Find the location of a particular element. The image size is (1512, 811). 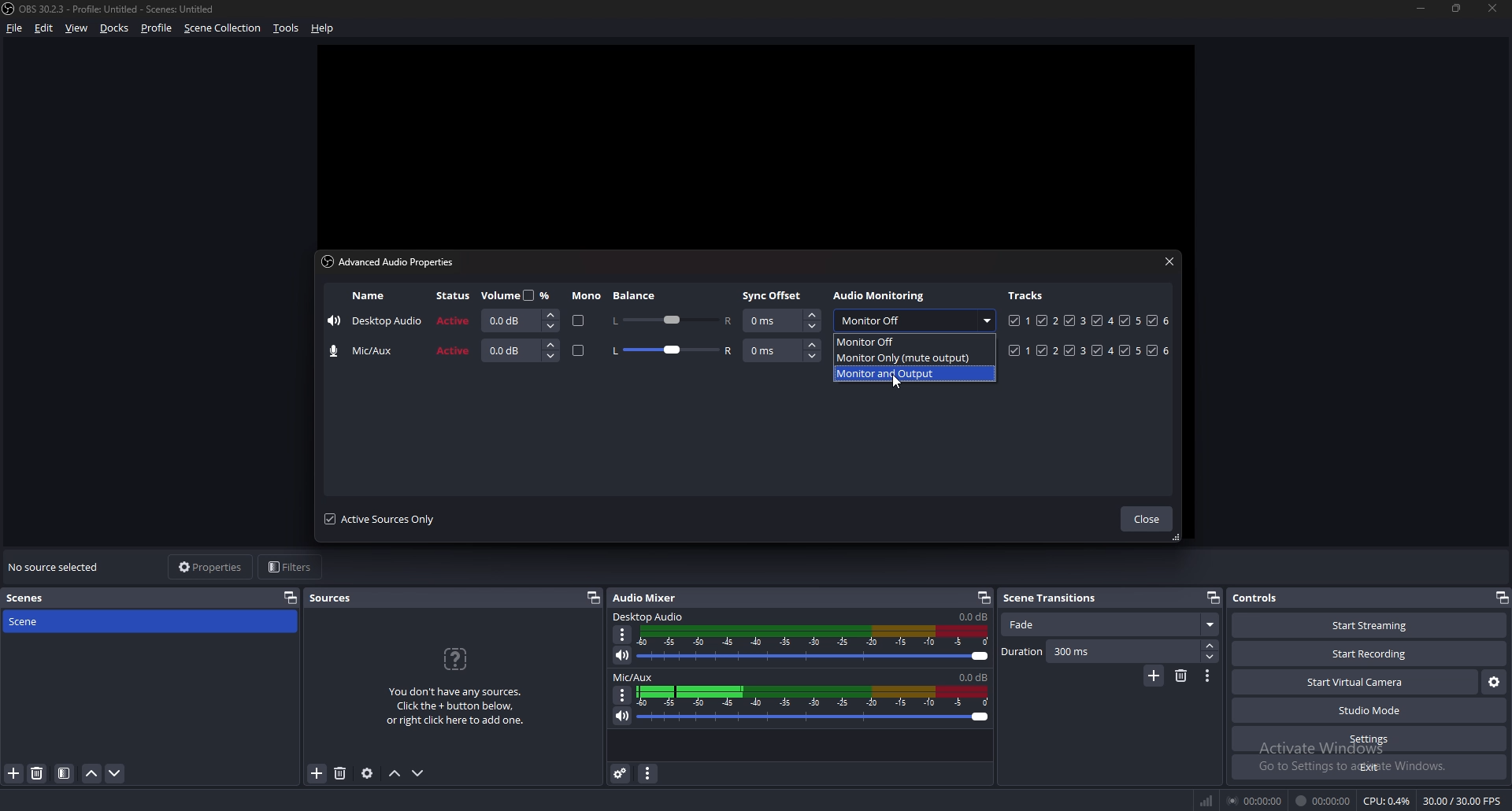

cursor is located at coordinates (895, 384).